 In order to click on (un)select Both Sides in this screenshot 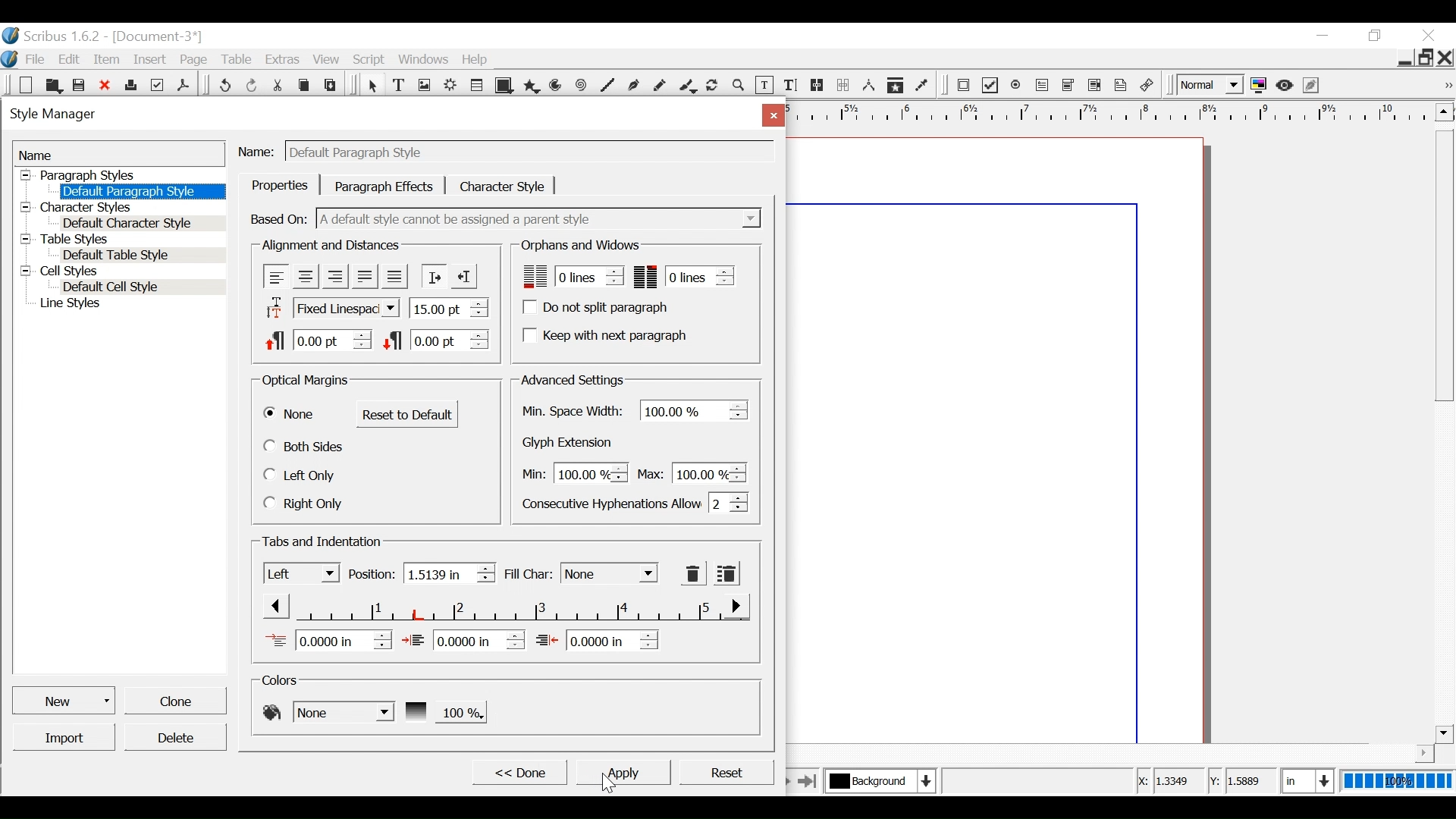, I will do `click(306, 446)`.